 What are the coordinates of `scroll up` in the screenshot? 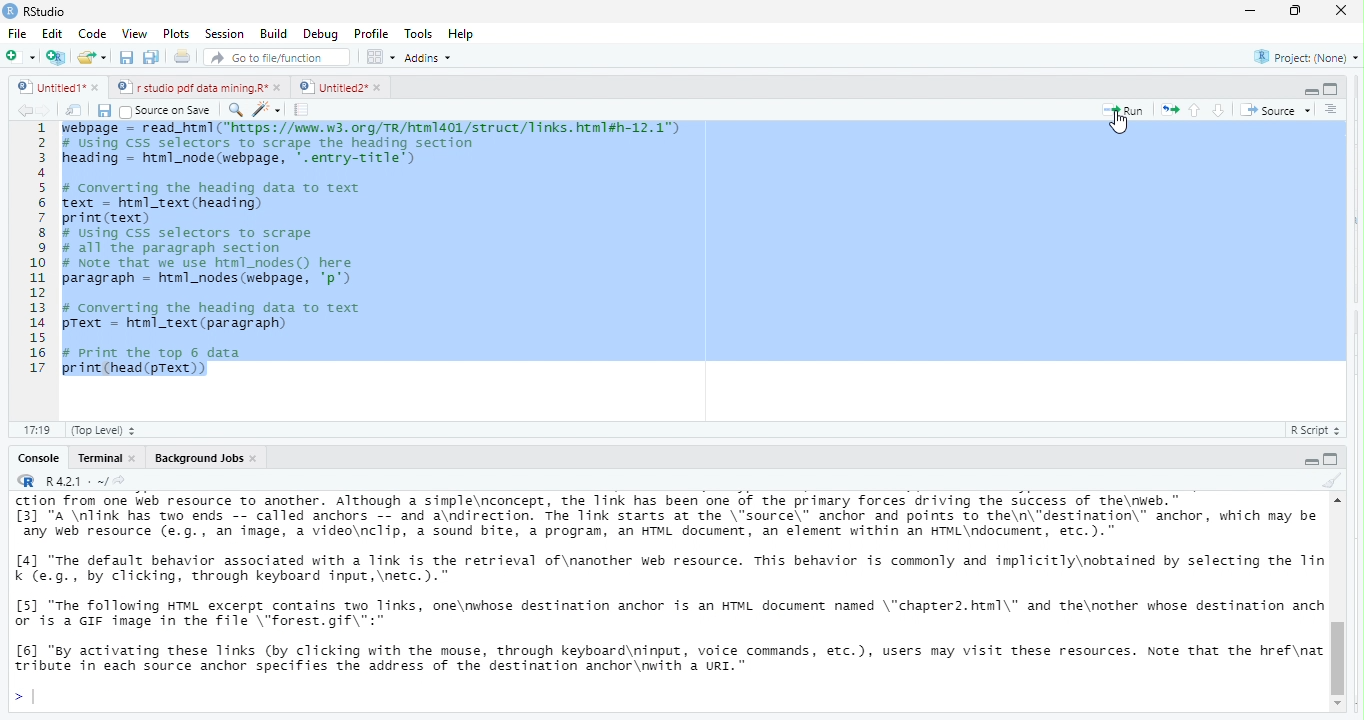 It's located at (1342, 498).